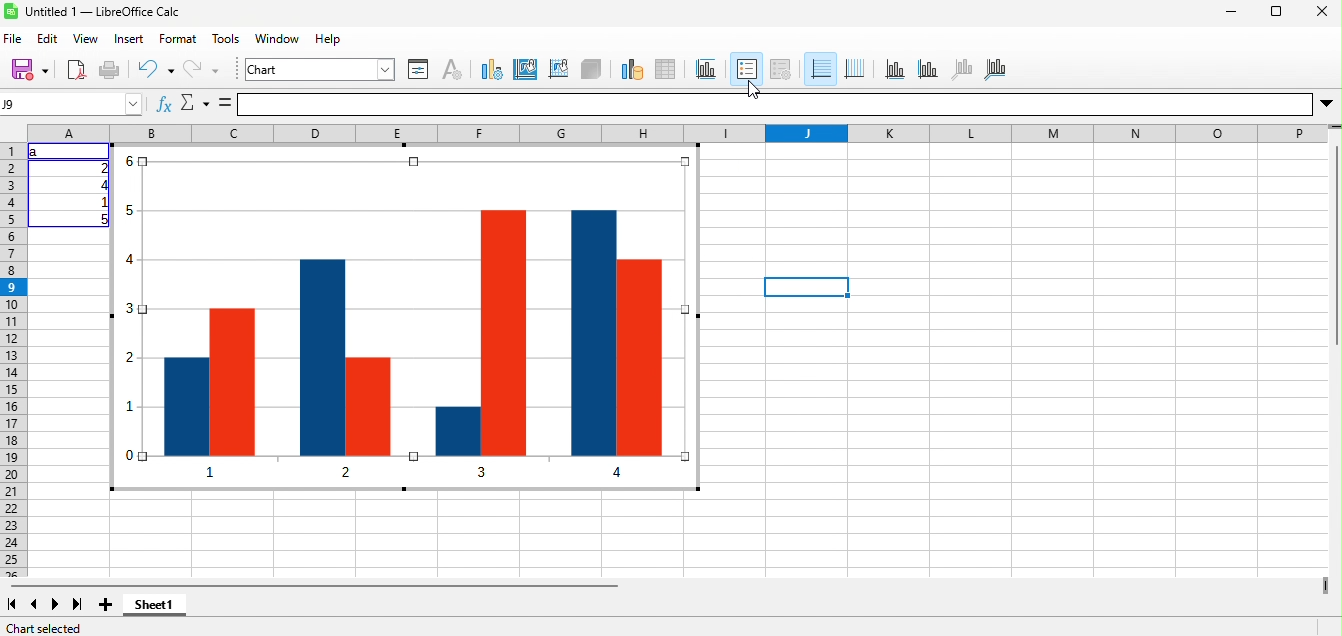 The image size is (1342, 636). What do you see at coordinates (55, 605) in the screenshot?
I see `next sheet` at bounding box center [55, 605].